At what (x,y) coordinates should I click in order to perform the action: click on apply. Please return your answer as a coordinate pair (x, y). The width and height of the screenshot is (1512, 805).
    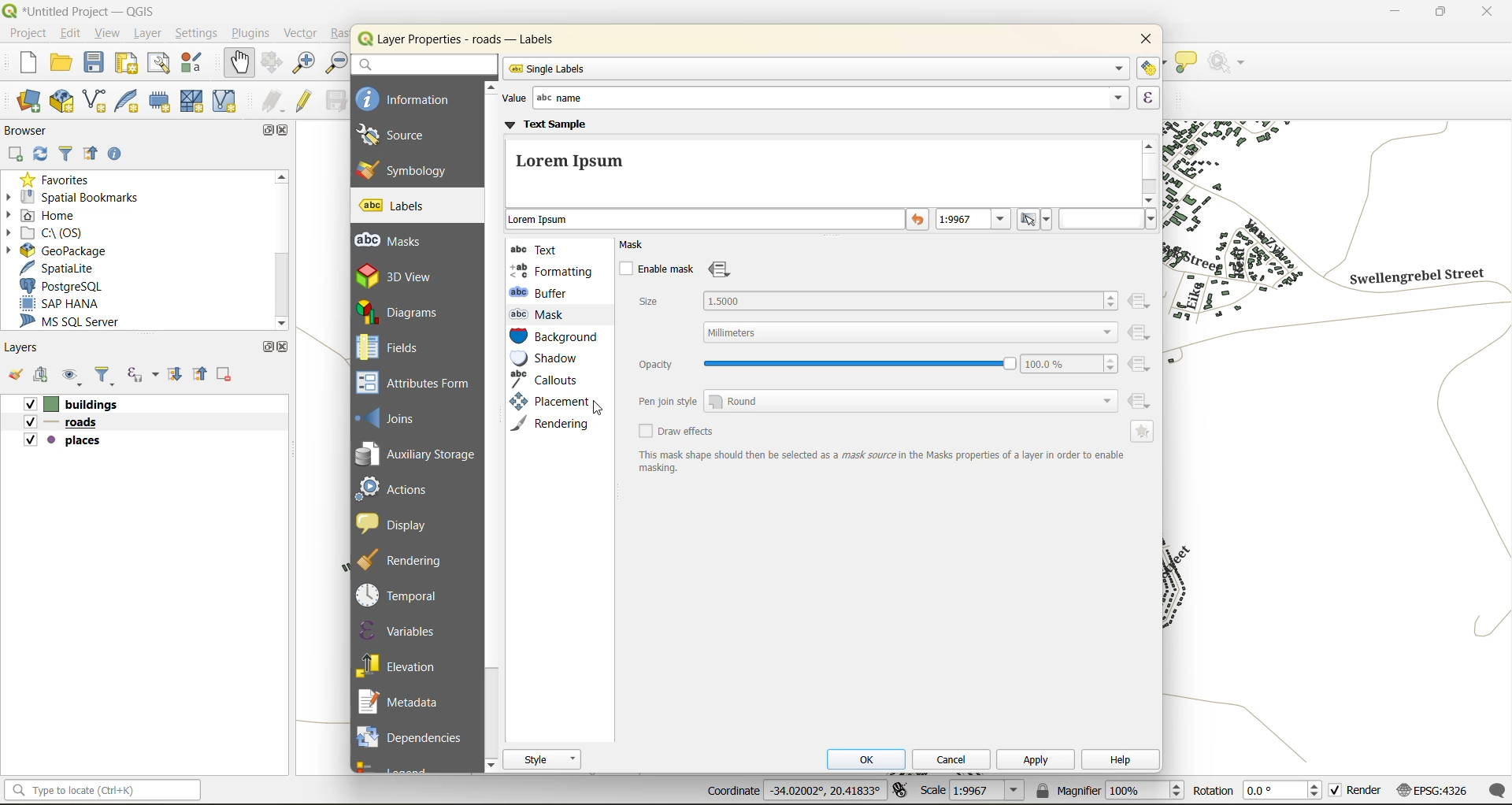
    Looking at the image, I should click on (1038, 763).